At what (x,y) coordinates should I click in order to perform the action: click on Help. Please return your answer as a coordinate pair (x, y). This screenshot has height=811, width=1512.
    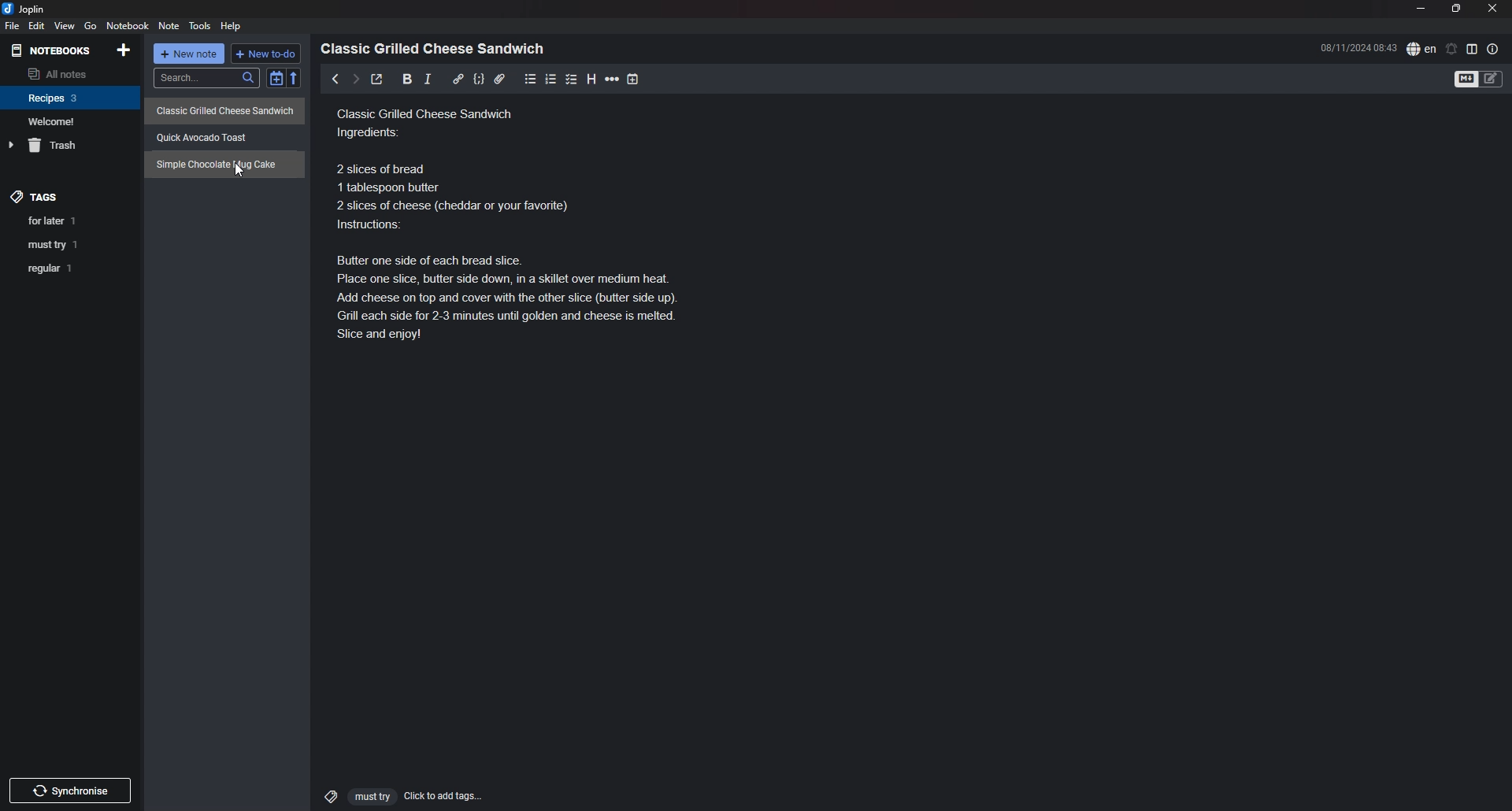
    Looking at the image, I should click on (232, 25).